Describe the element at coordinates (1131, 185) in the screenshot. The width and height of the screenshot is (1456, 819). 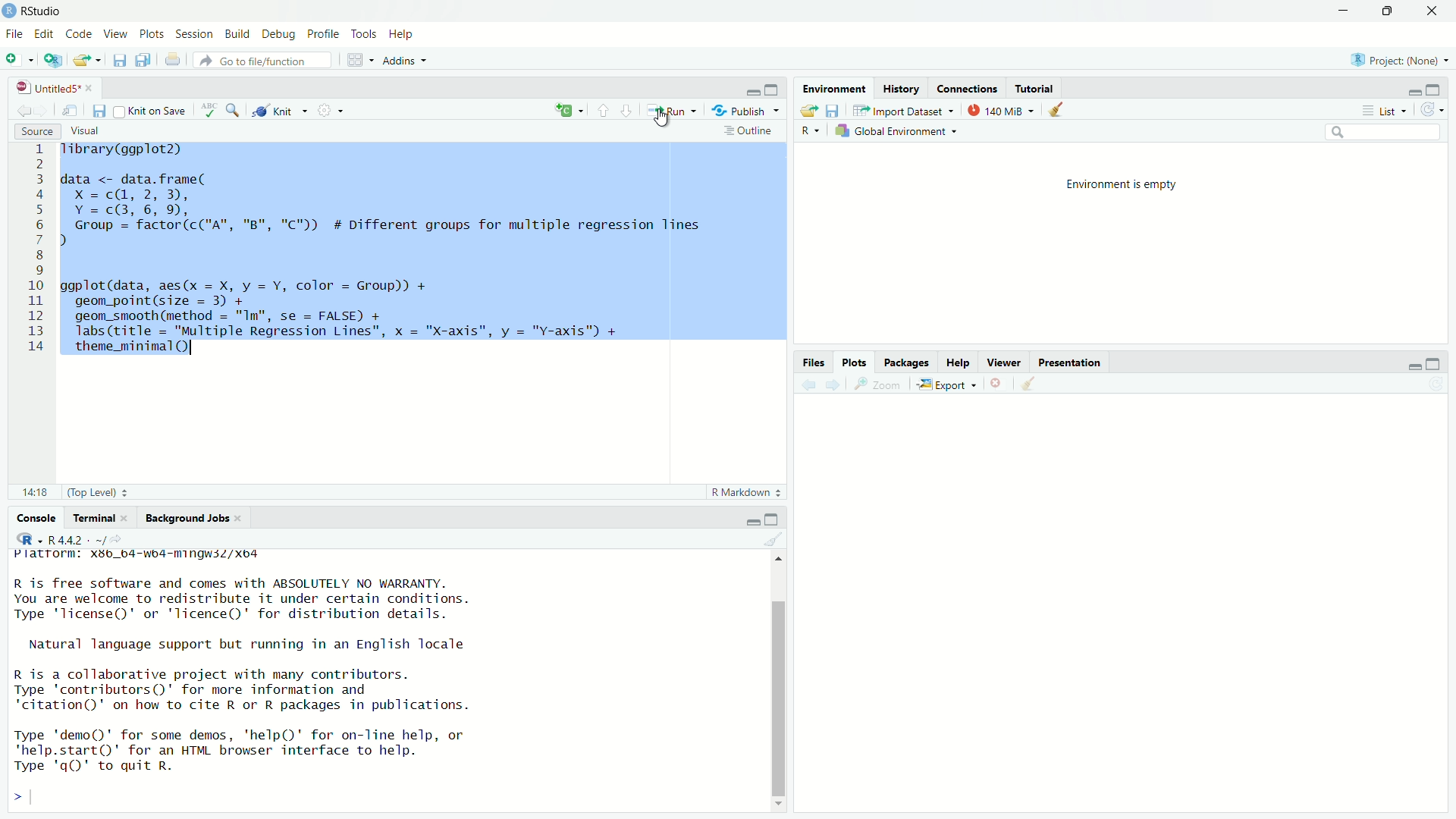
I see `Environment is empty` at that location.